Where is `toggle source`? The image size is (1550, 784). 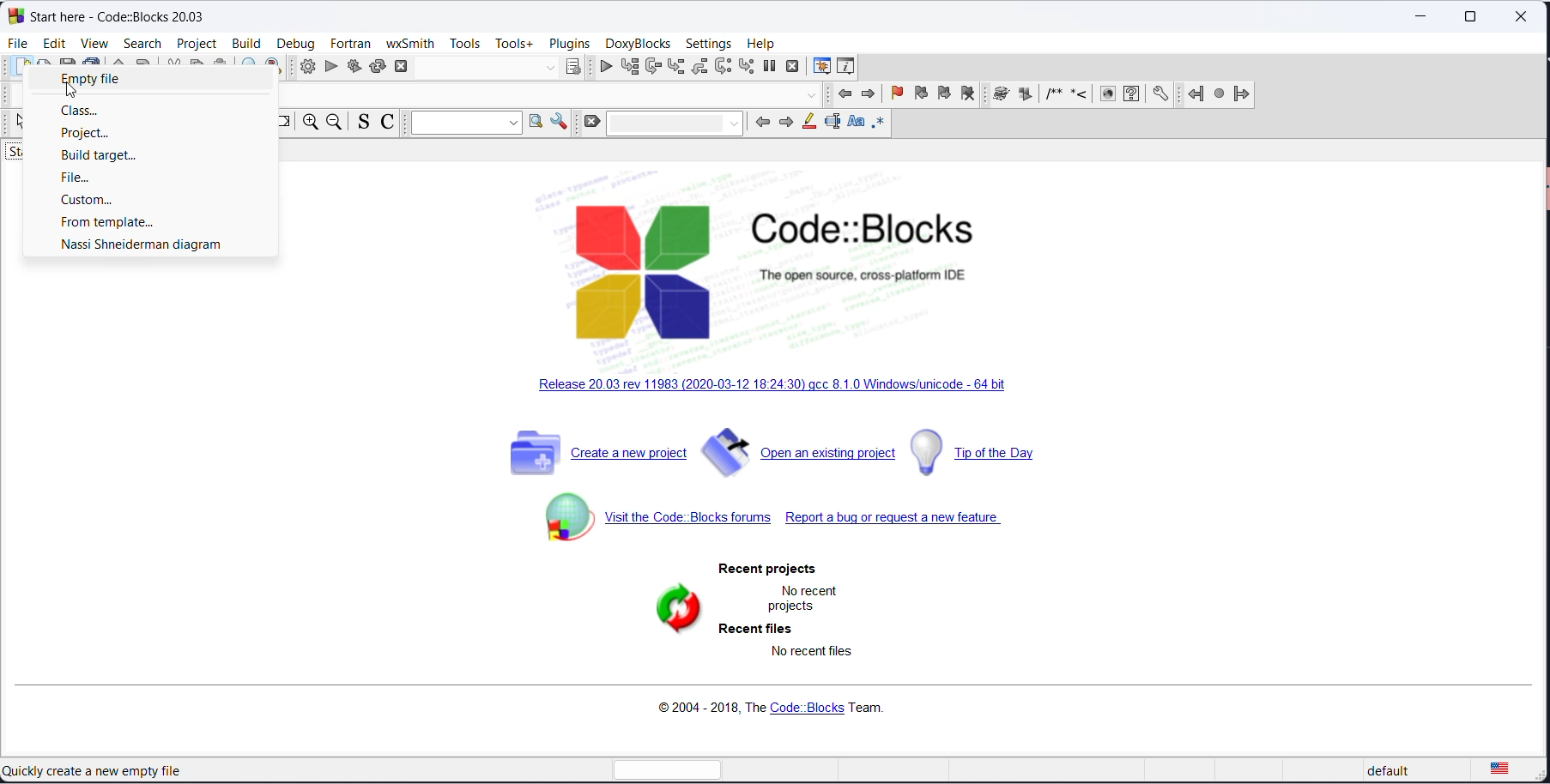 toggle source is located at coordinates (361, 124).